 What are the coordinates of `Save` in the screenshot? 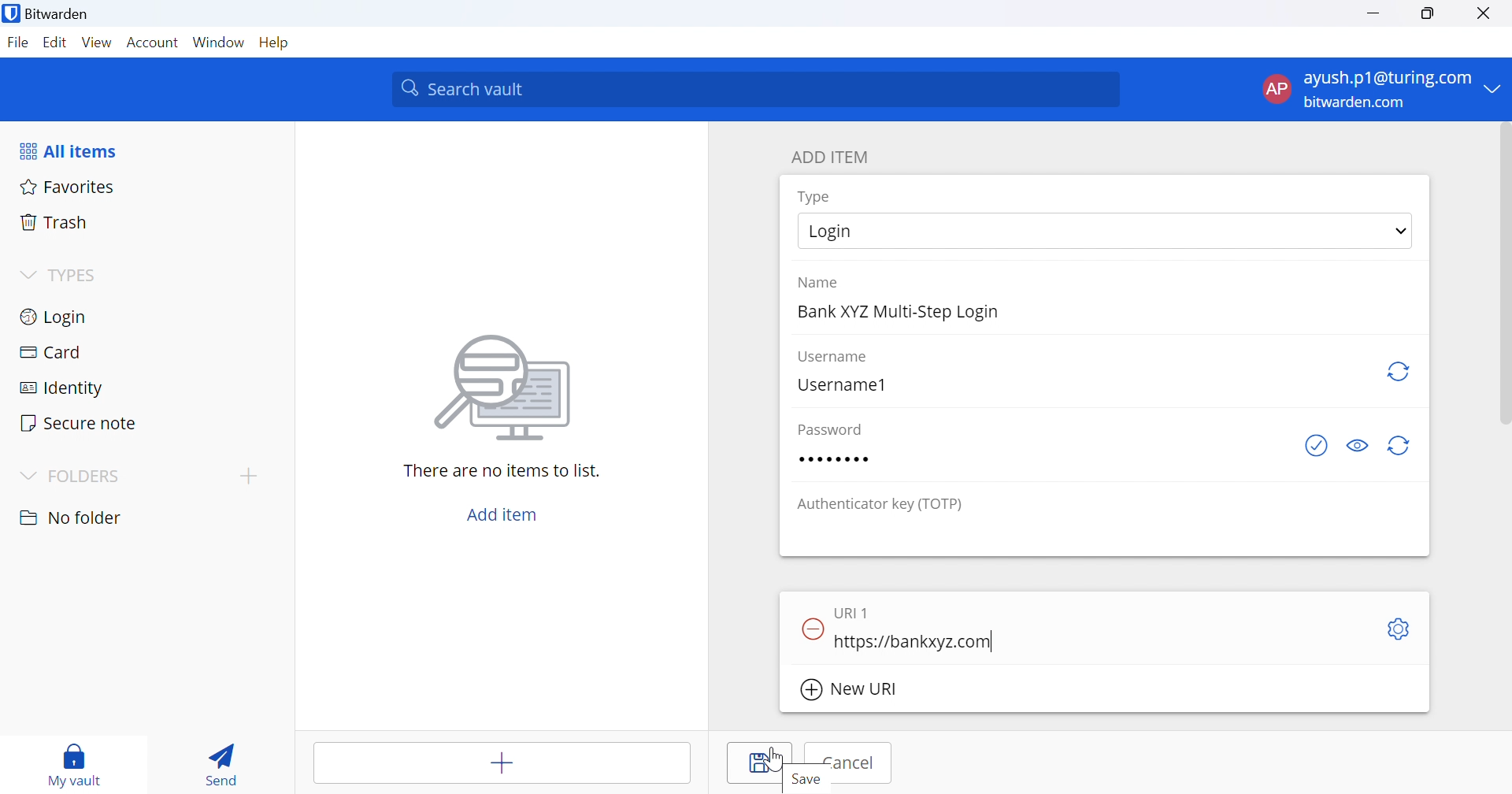 It's located at (755, 762).